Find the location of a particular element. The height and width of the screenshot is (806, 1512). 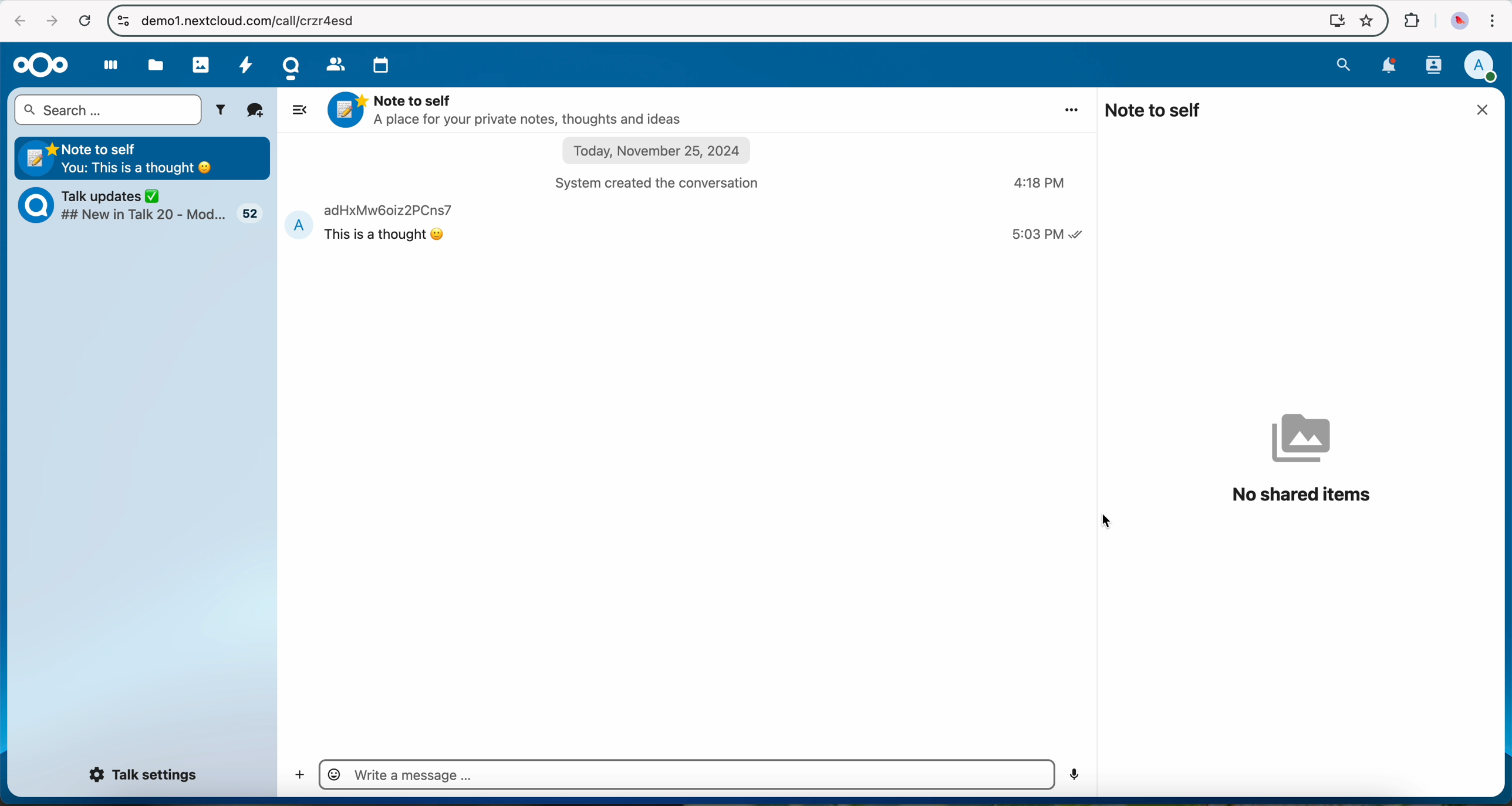

Note to self is located at coordinates (144, 157).